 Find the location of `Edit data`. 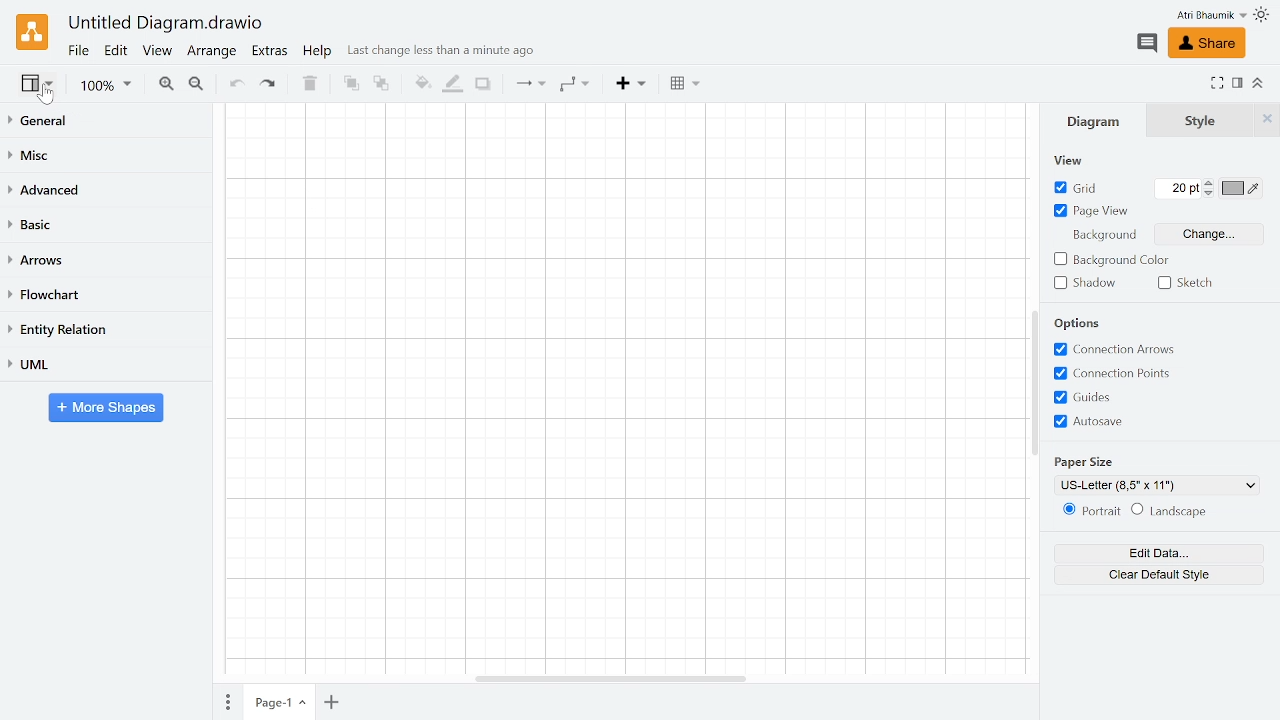

Edit data is located at coordinates (1156, 553).